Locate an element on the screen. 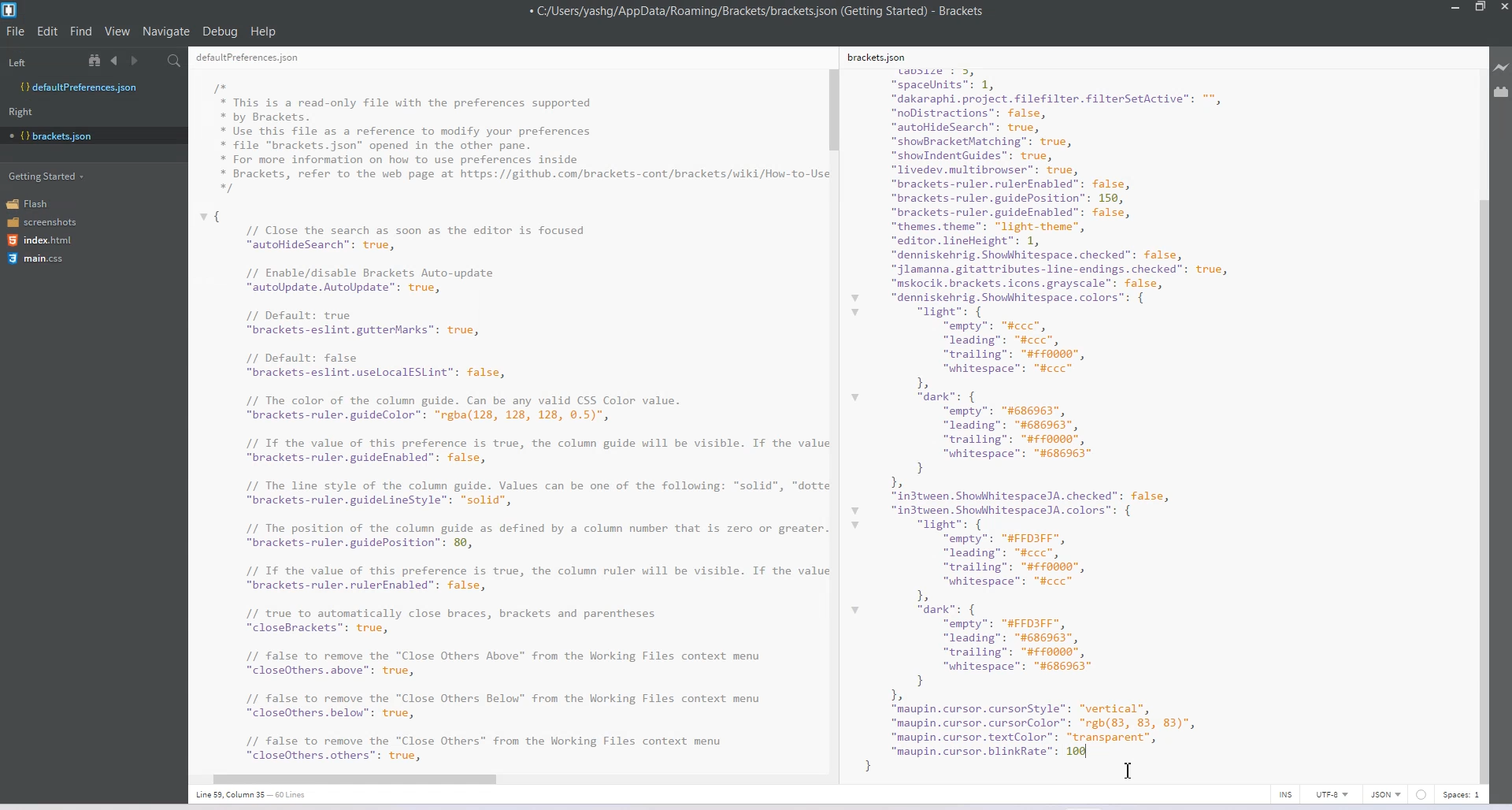 The width and height of the screenshot is (1512, 810). Line 36, Column 13- 60 lines is located at coordinates (259, 795).